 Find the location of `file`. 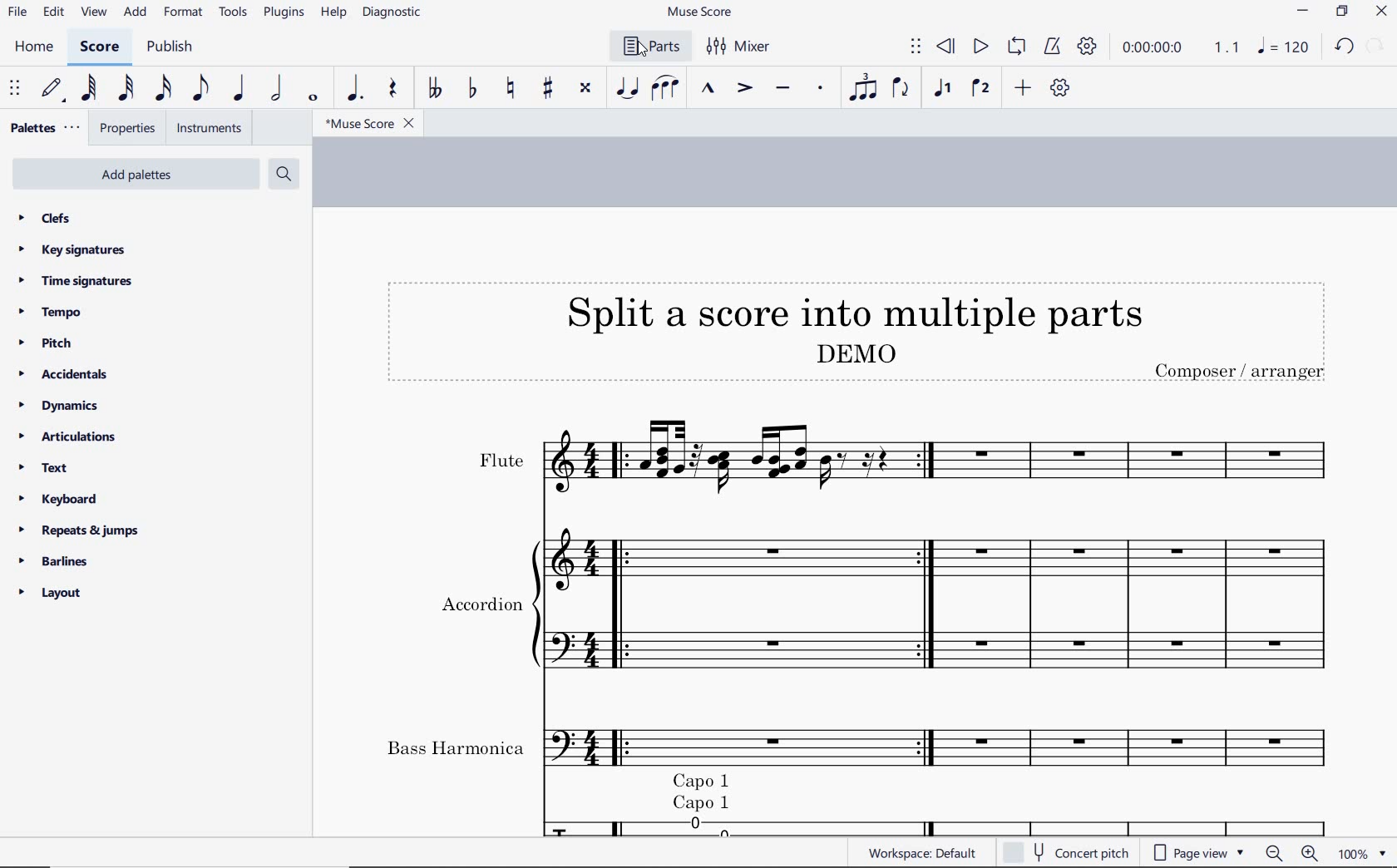

file is located at coordinates (17, 12).